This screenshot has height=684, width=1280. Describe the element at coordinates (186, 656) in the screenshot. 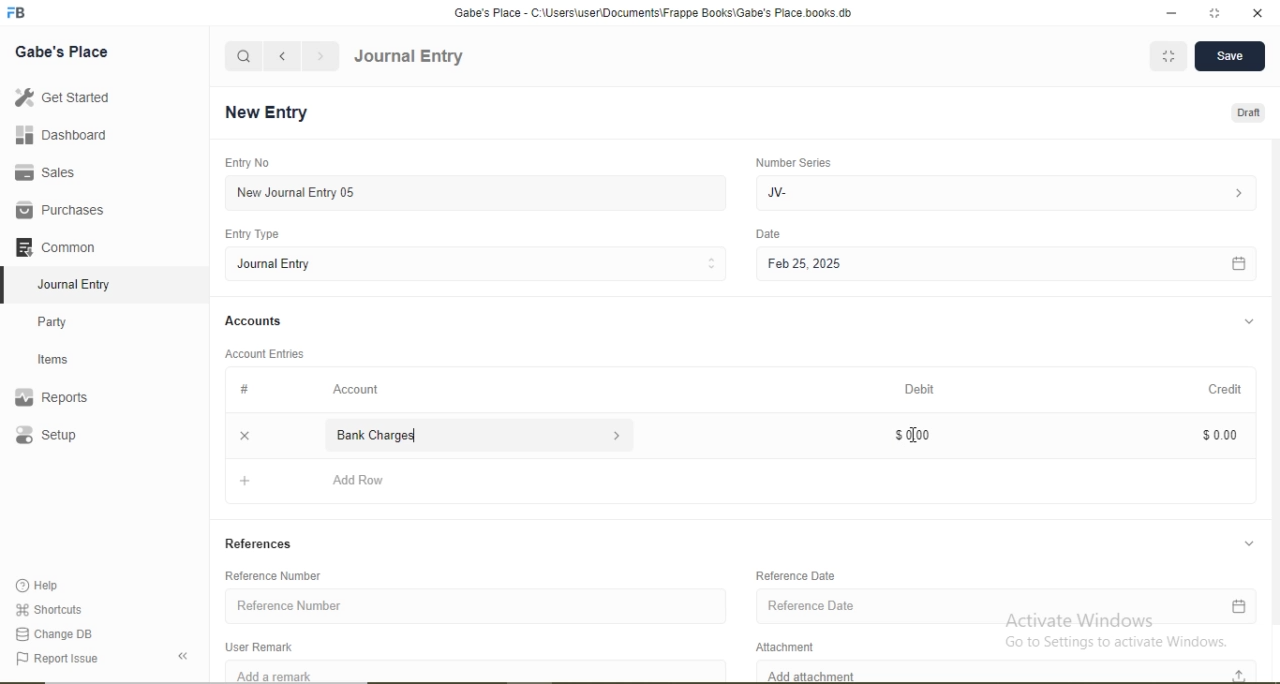

I see `collapse sidebar` at that location.